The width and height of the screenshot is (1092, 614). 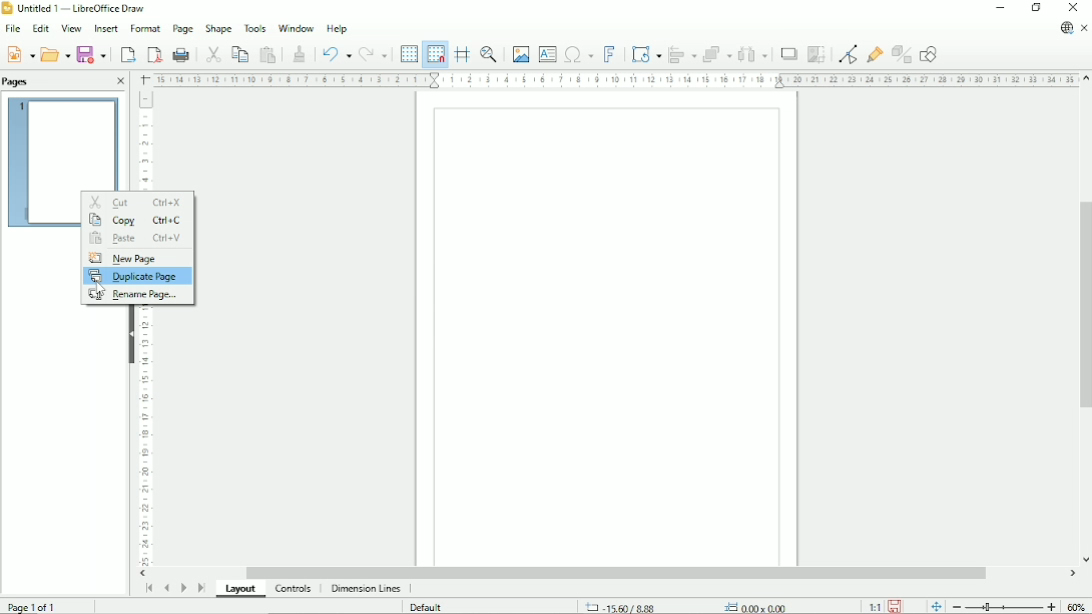 What do you see at coordinates (896, 605) in the screenshot?
I see `Save` at bounding box center [896, 605].